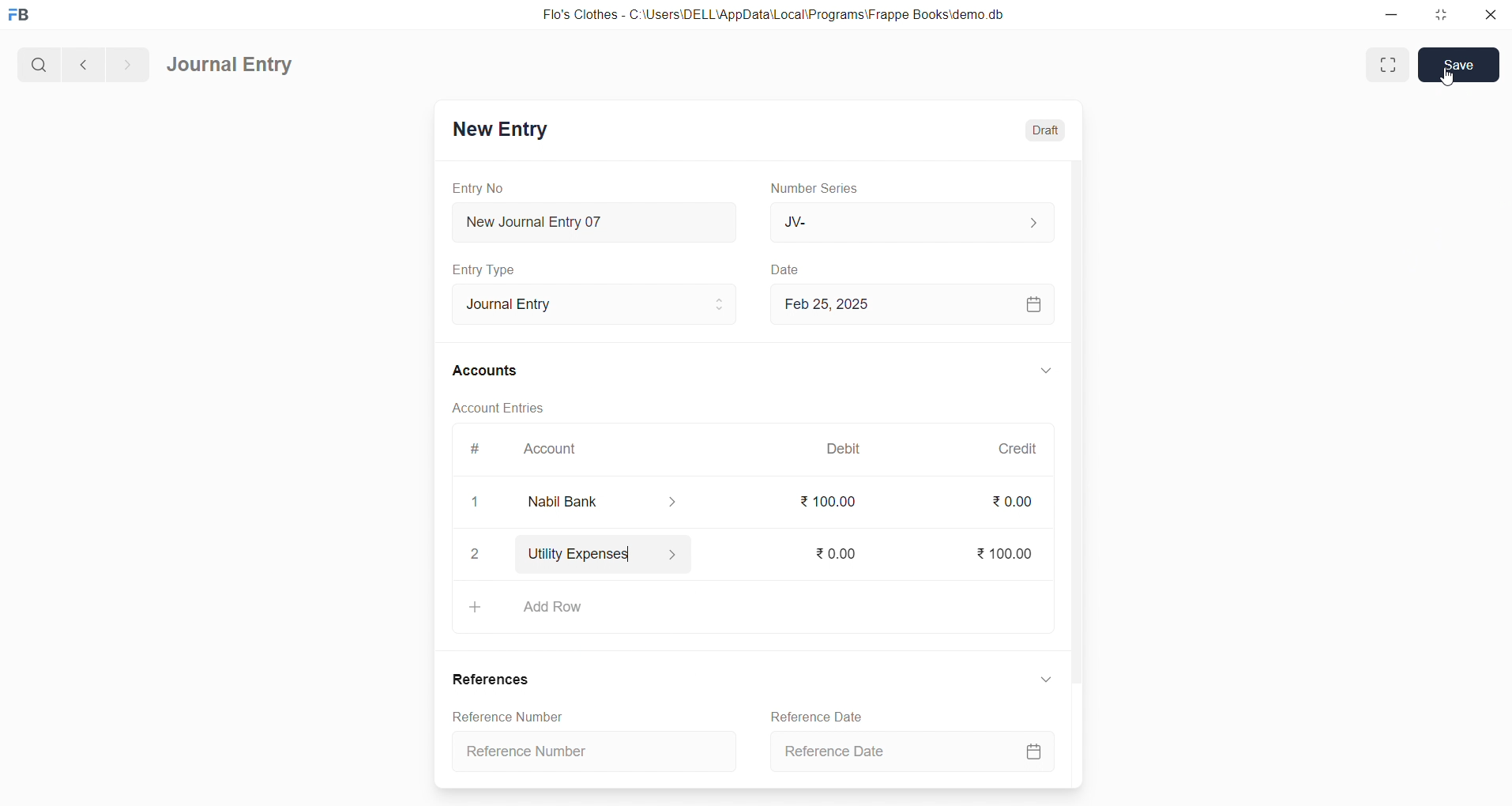 The height and width of the screenshot is (806, 1512). I want to click on closee, so click(476, 503).